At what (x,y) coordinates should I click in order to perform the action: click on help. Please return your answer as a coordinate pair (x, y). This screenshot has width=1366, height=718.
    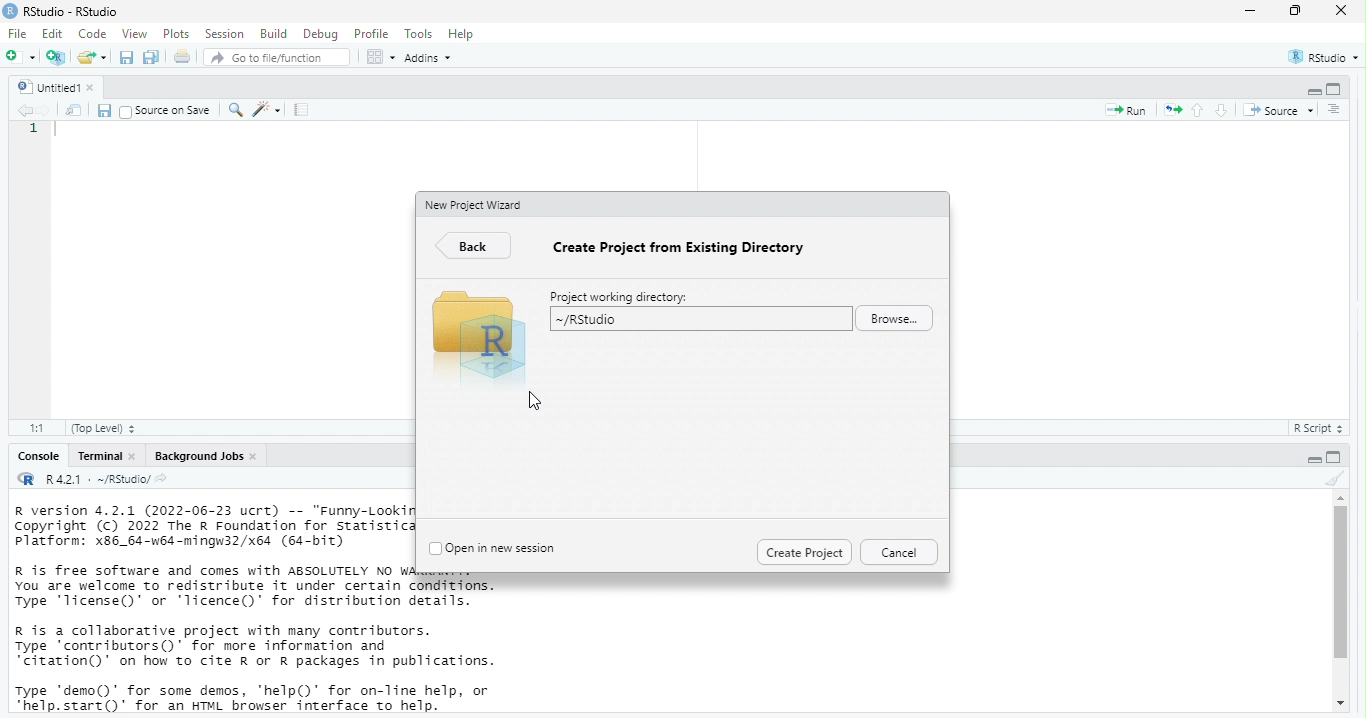
    Looking at the image, I should click on (466, 33).